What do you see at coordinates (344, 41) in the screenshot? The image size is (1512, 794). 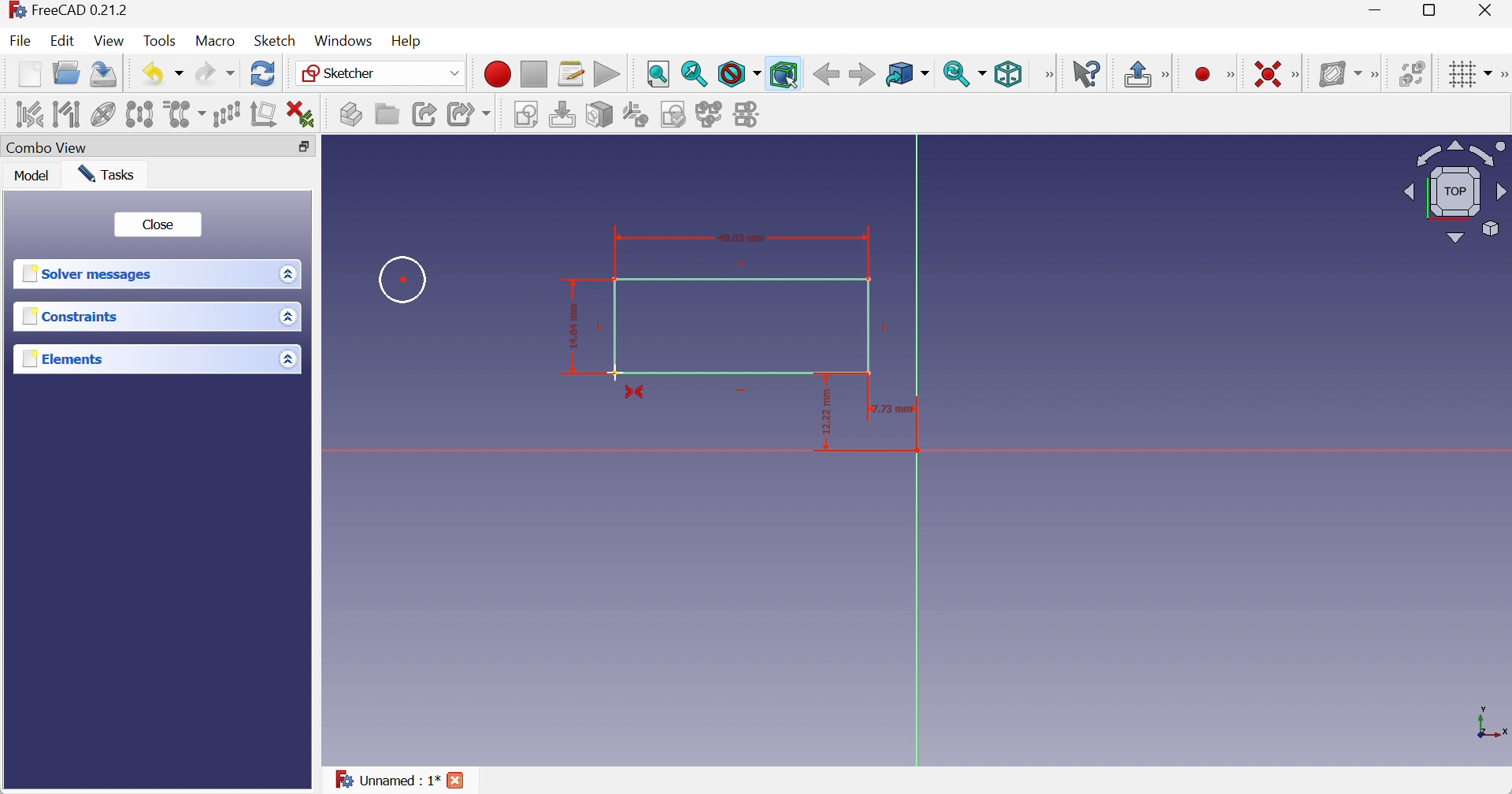 I see `Windows` at bounding box center [344, 41].